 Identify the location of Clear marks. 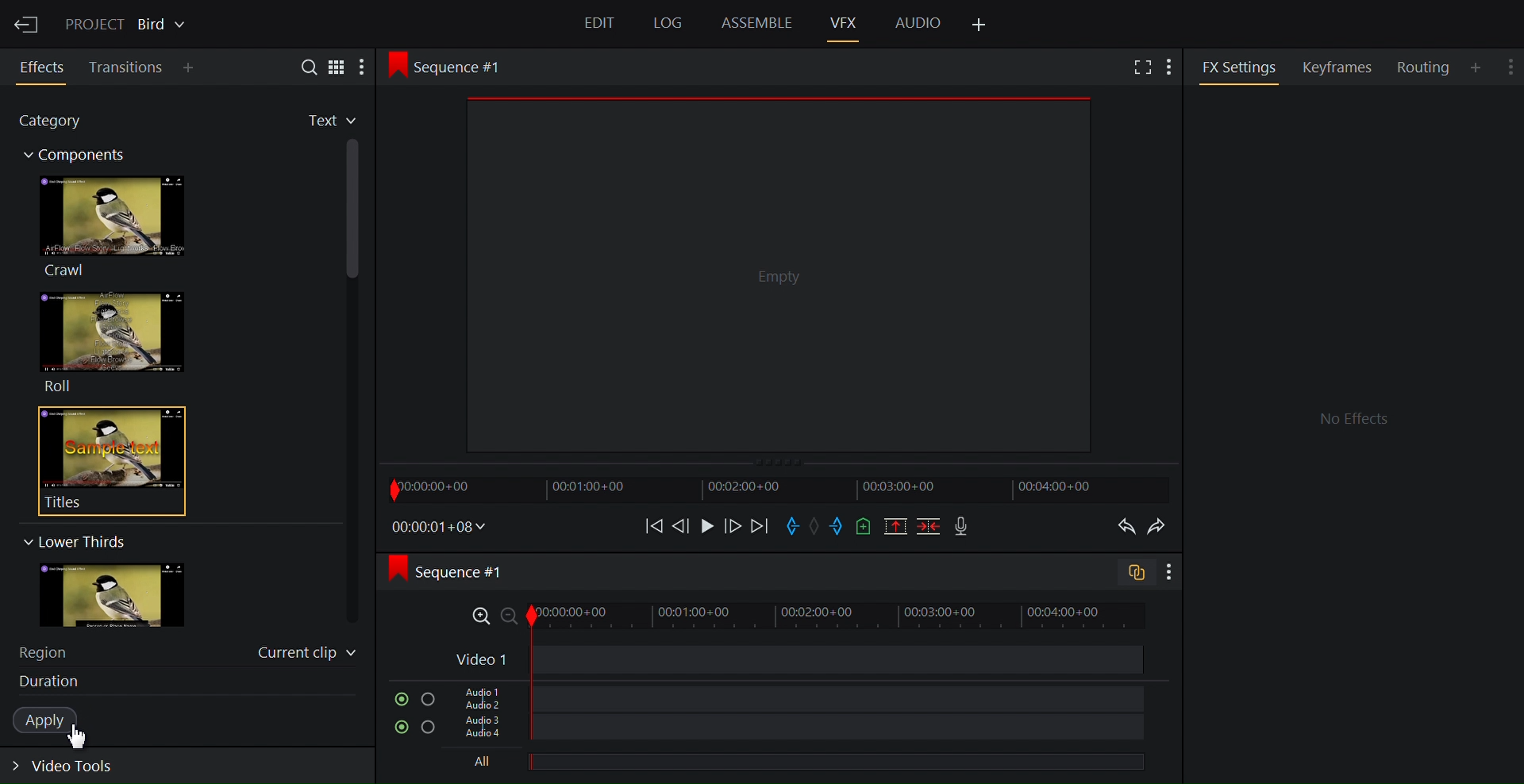
(817, 525).